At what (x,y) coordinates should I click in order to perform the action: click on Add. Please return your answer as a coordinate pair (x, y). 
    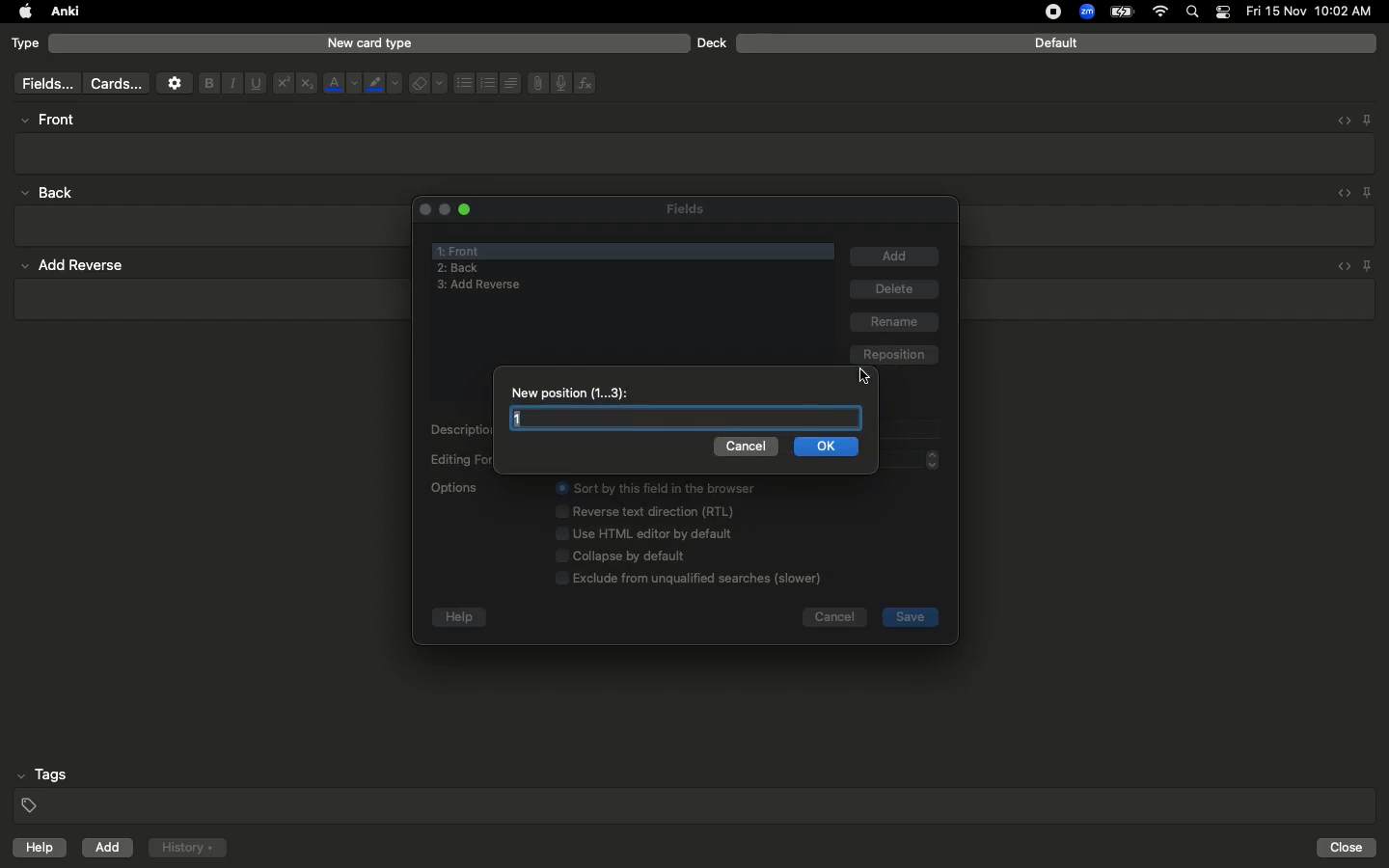
    Looking at the image, I should click on (109, 848).